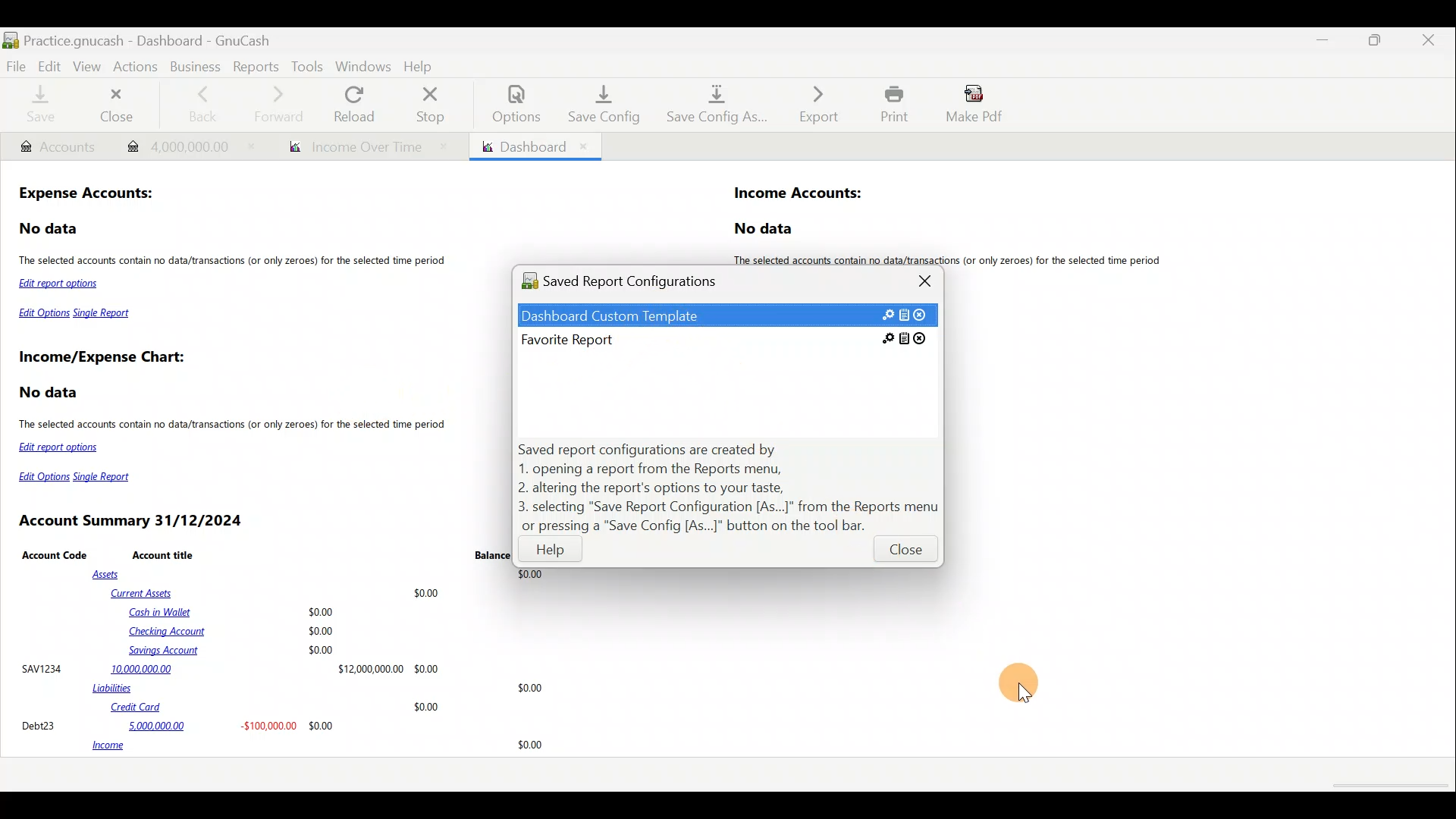  Describe the element at coordinates (322, 575) in the screenshot. I see `Assets $0.00` at that location.